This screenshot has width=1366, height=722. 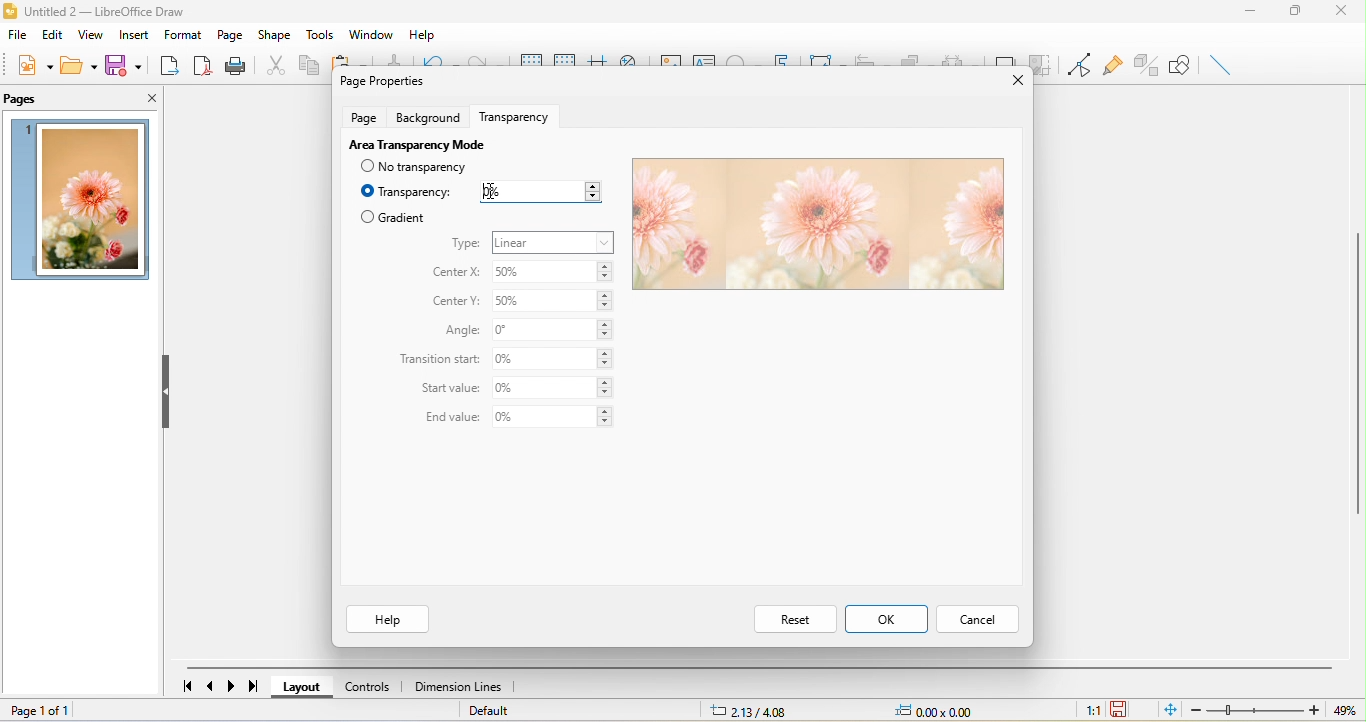 What do you see at coordinates (307, 64) in the screenshot?
I see `copy` at bounding box center [307, 64].